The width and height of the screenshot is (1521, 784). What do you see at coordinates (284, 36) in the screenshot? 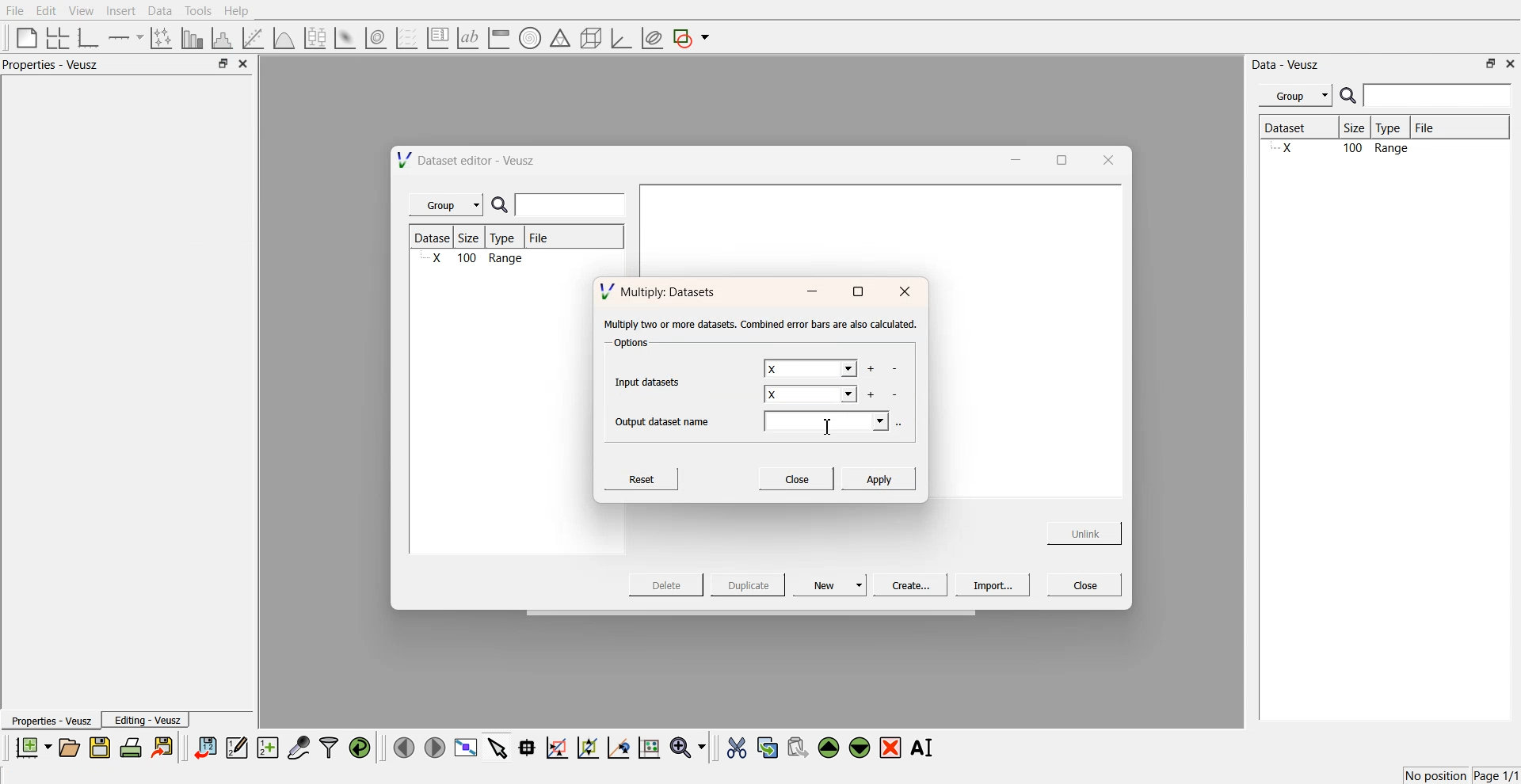
I see `plot a function on a graph` at bounding box center [284, 36].